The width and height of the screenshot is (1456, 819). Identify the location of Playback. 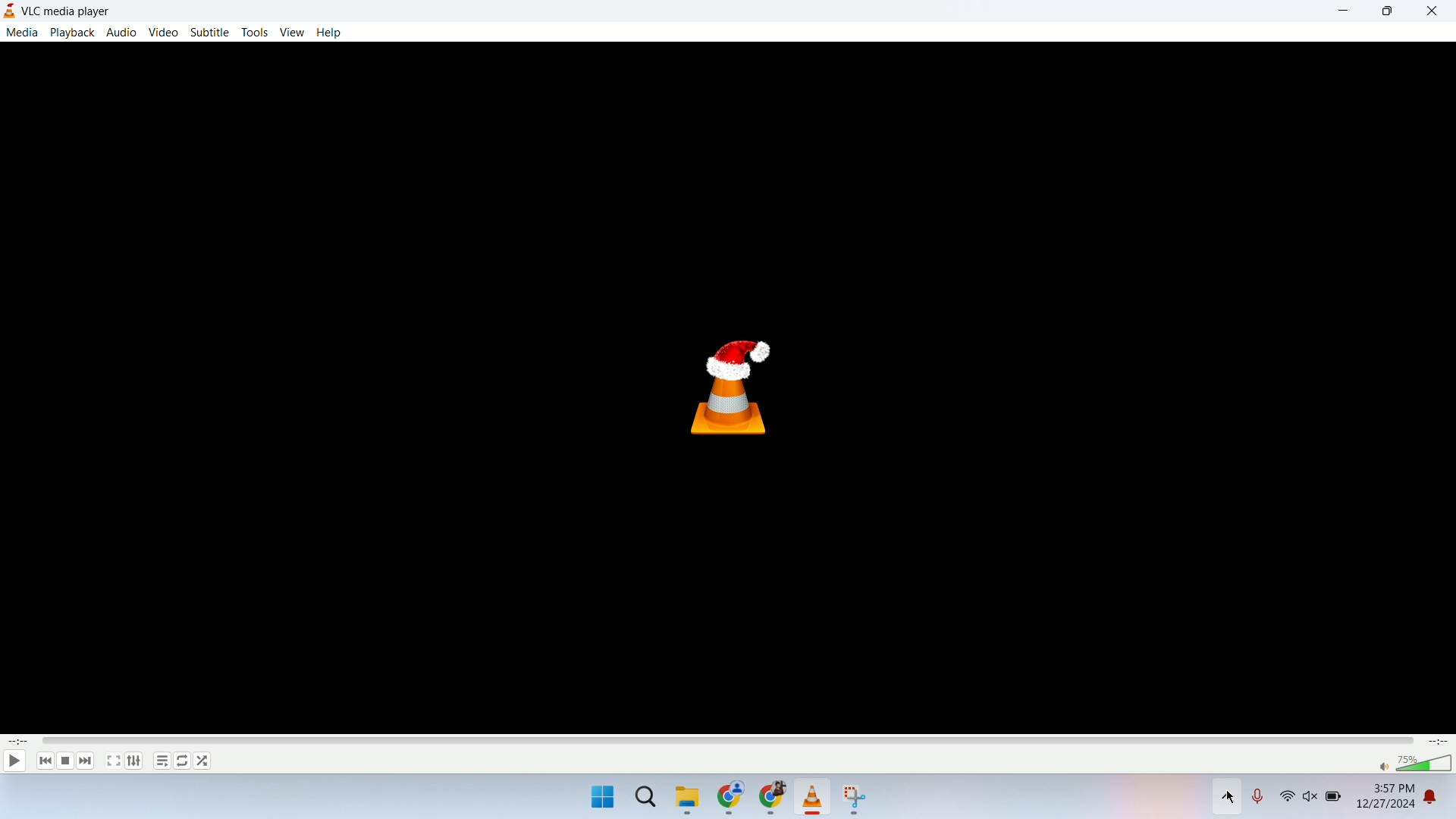
(71, 32).